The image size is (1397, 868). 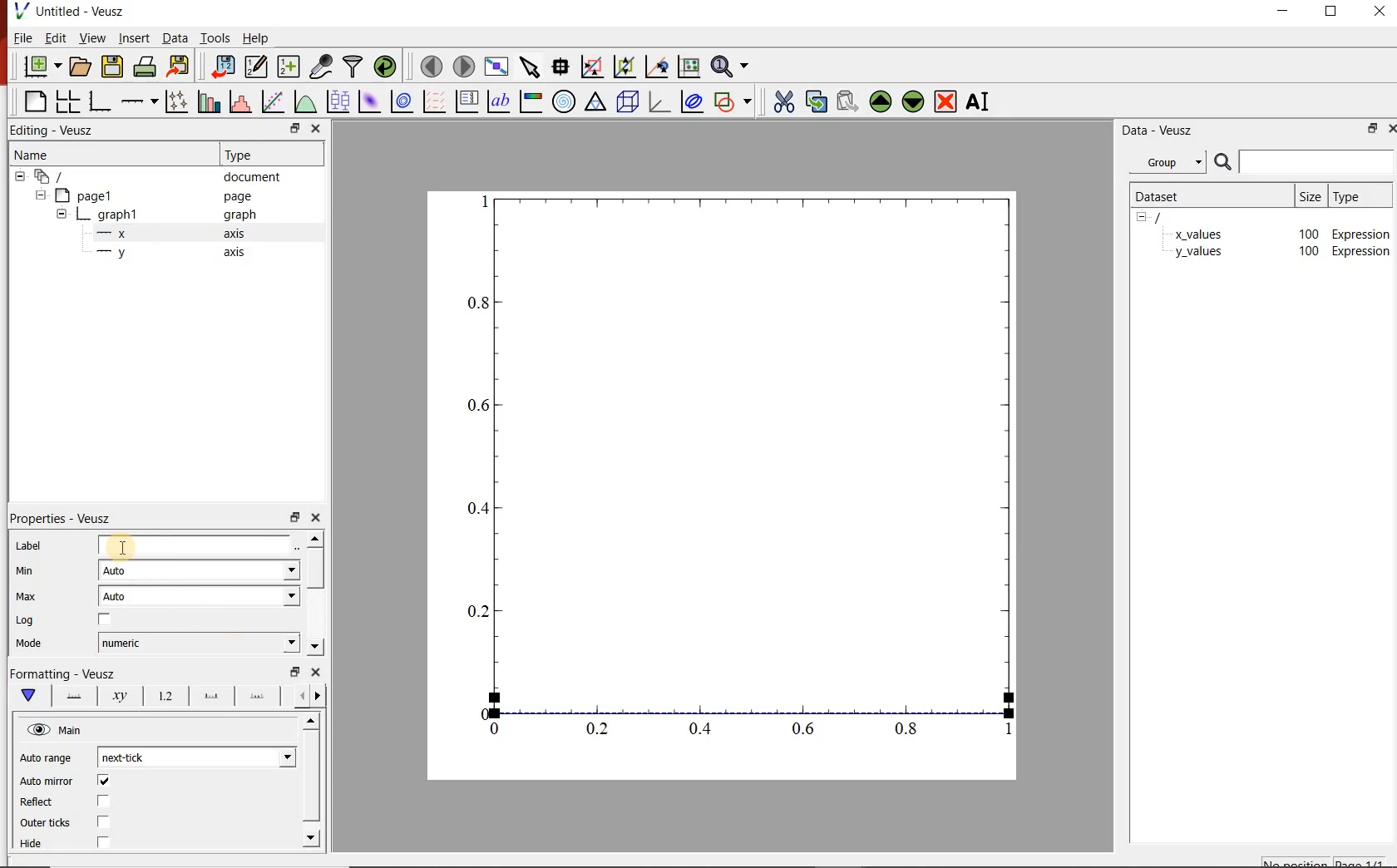 I want to click on plot 2d dataset as contours, so click(x=403, y=101).